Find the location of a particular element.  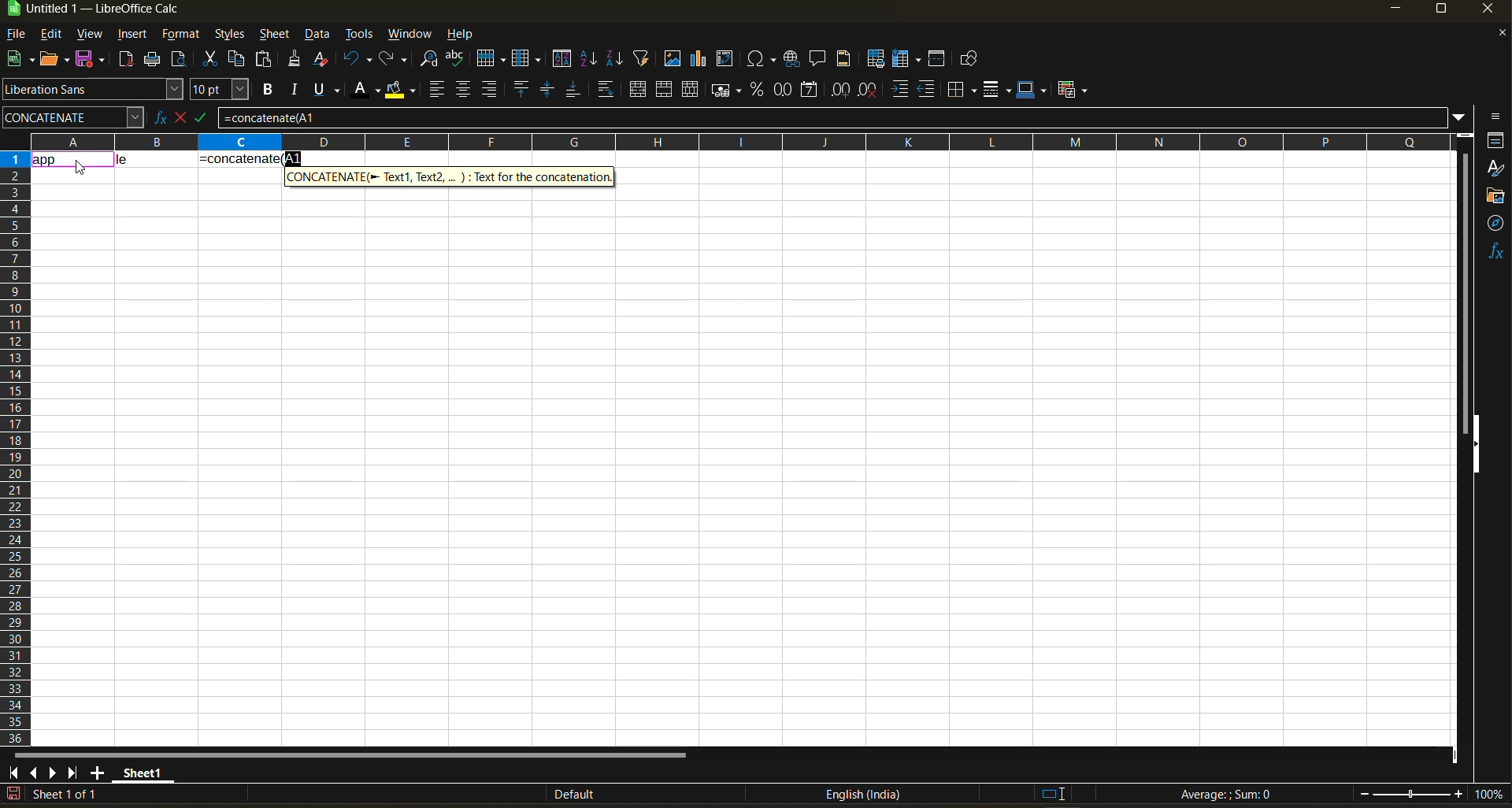

wrap text is located at coordinates (605, 91).